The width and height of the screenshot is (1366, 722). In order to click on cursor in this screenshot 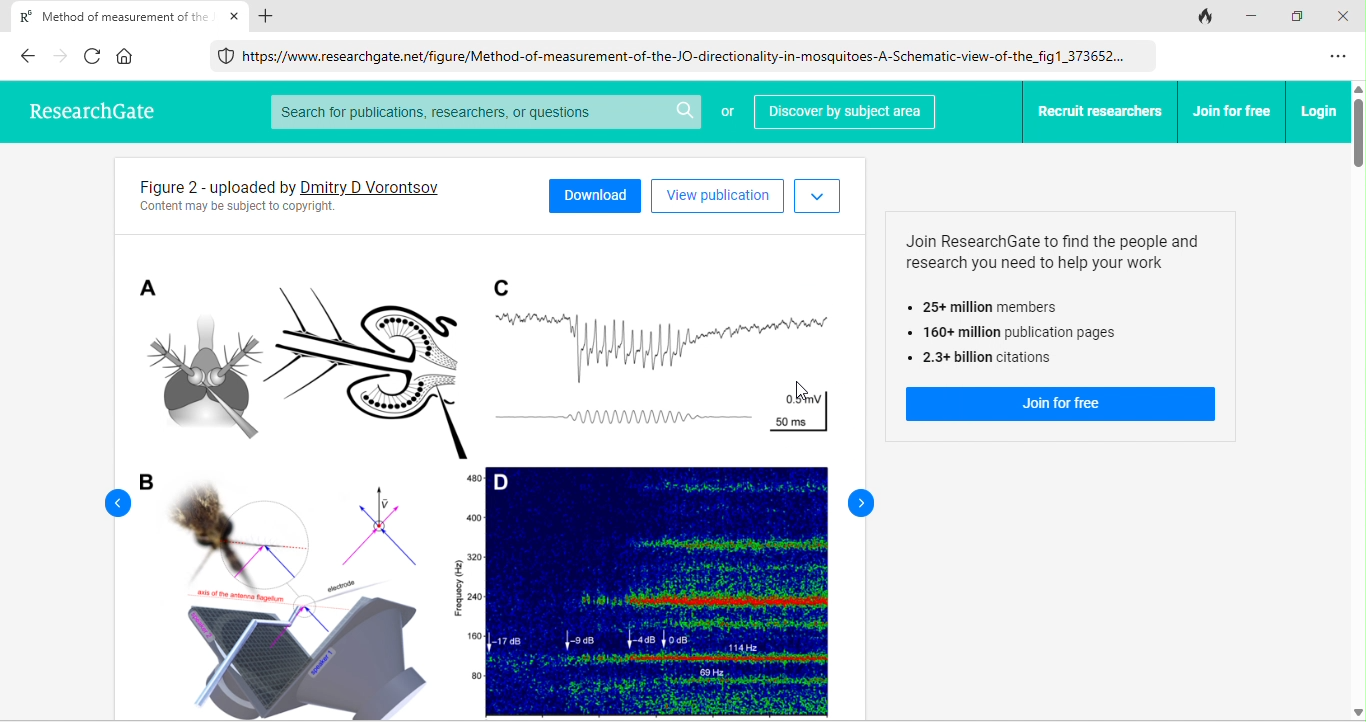, I will do `click(787, 392)`.